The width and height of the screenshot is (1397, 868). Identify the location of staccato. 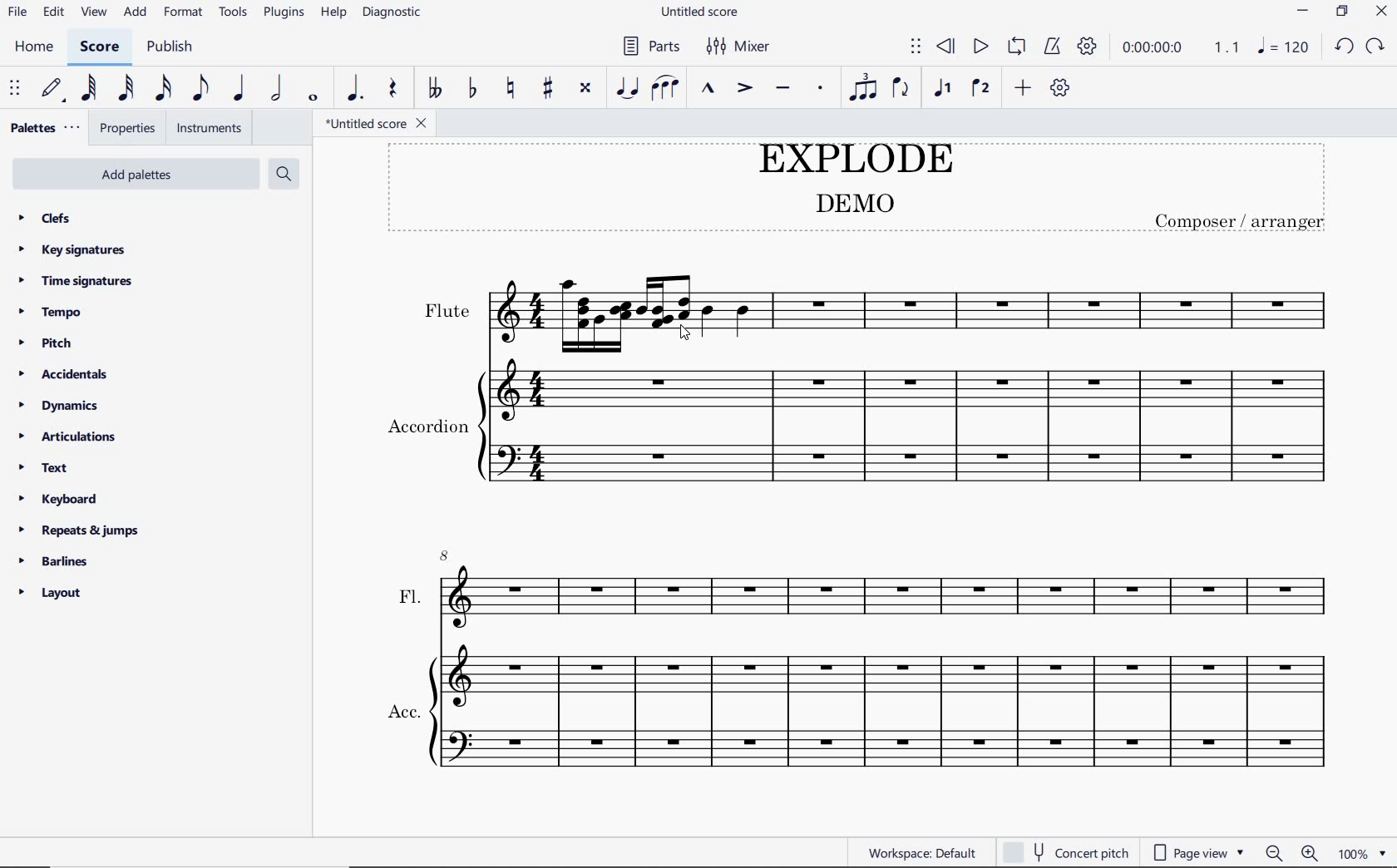
(820, 89).